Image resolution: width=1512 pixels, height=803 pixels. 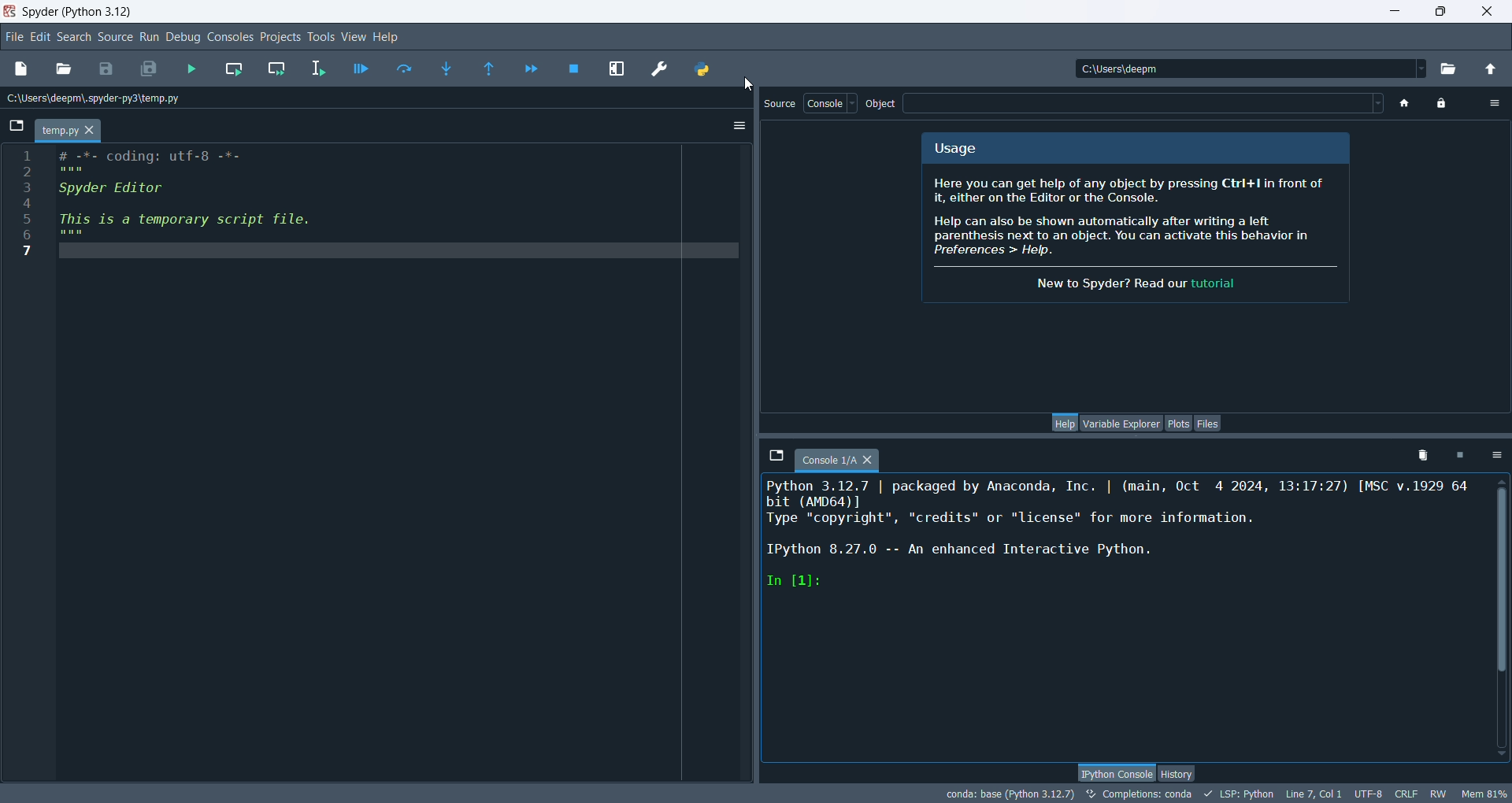 I want to click on line, col, so click(x=1312, y=794).